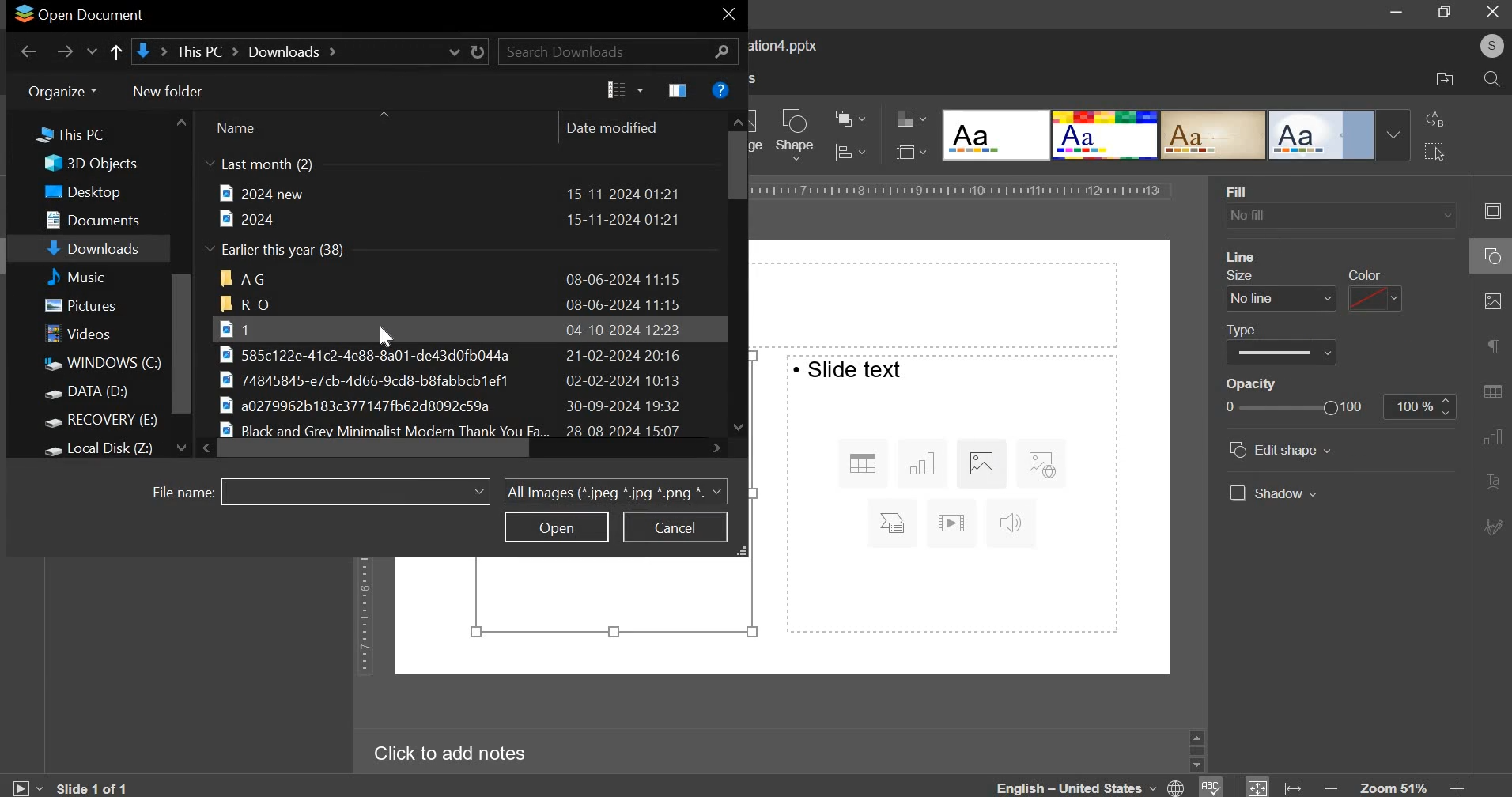 This screenshot has height=797, width=1512. What do you see at coordinates (1434, 150) in the screenshot?
I see `select` at bounding box center [1434, 150].